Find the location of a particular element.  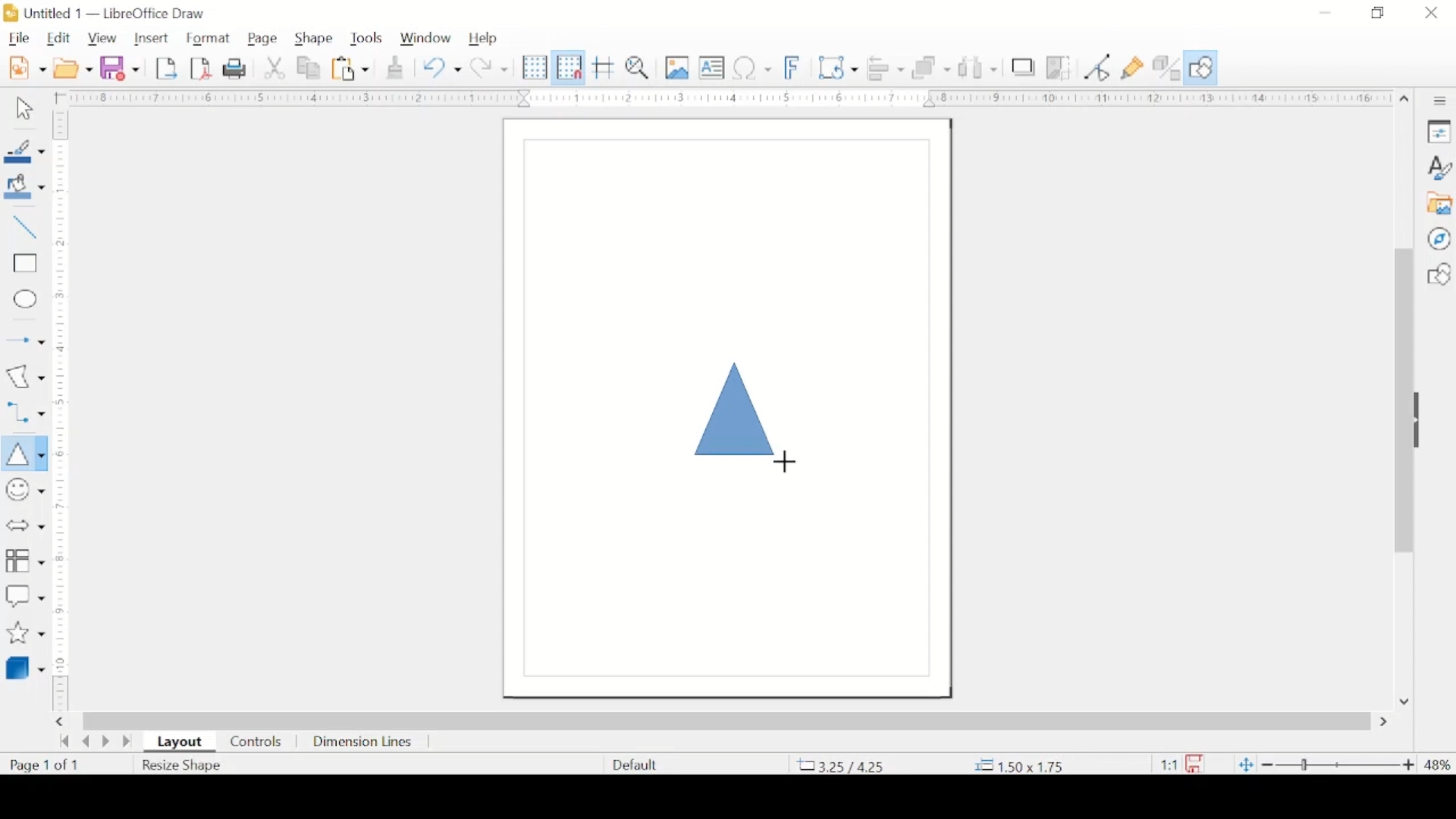

flowchart is located at coordinates (25, 559).